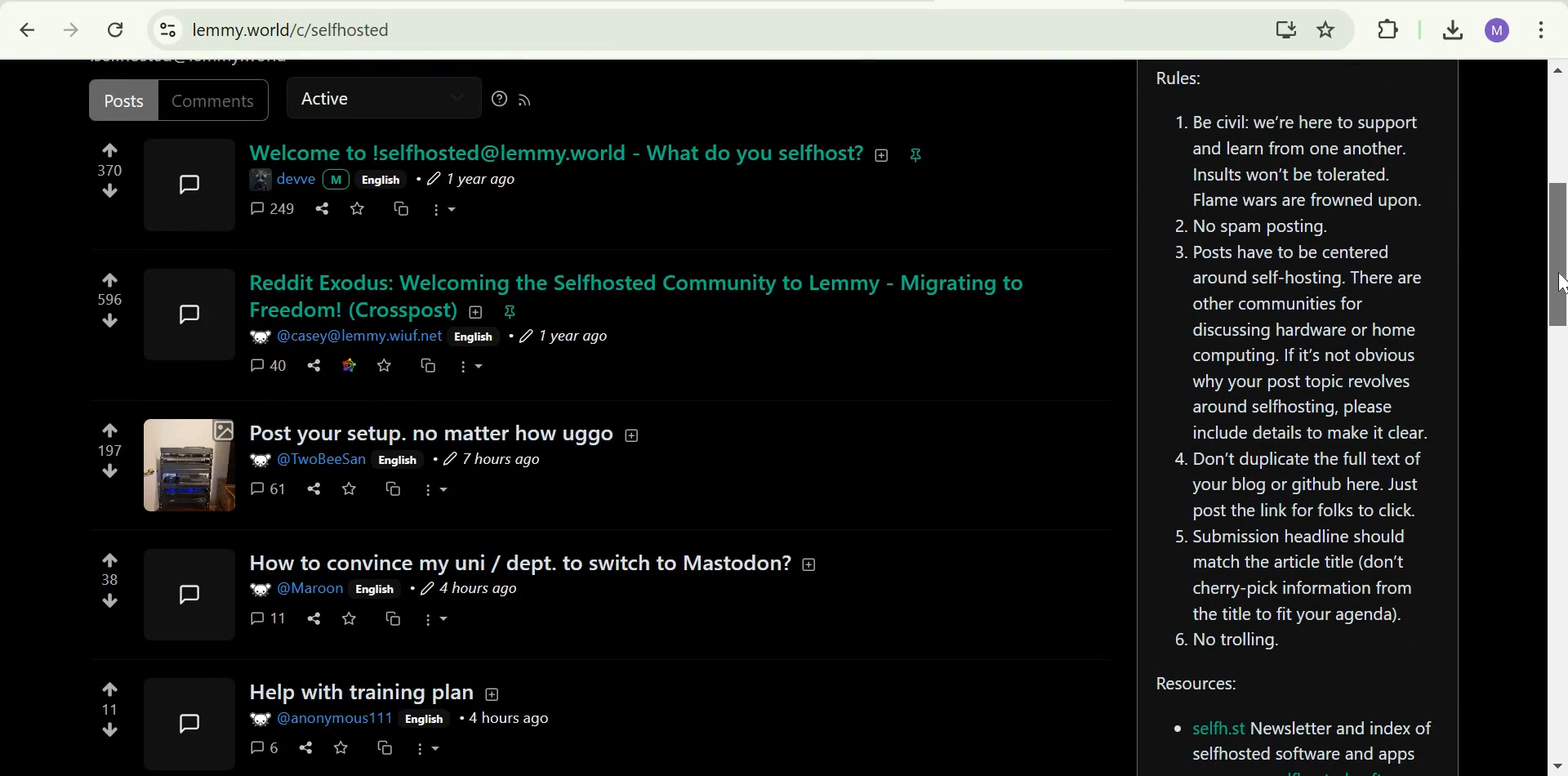  I want to click on cross-post, so click(393, 618).